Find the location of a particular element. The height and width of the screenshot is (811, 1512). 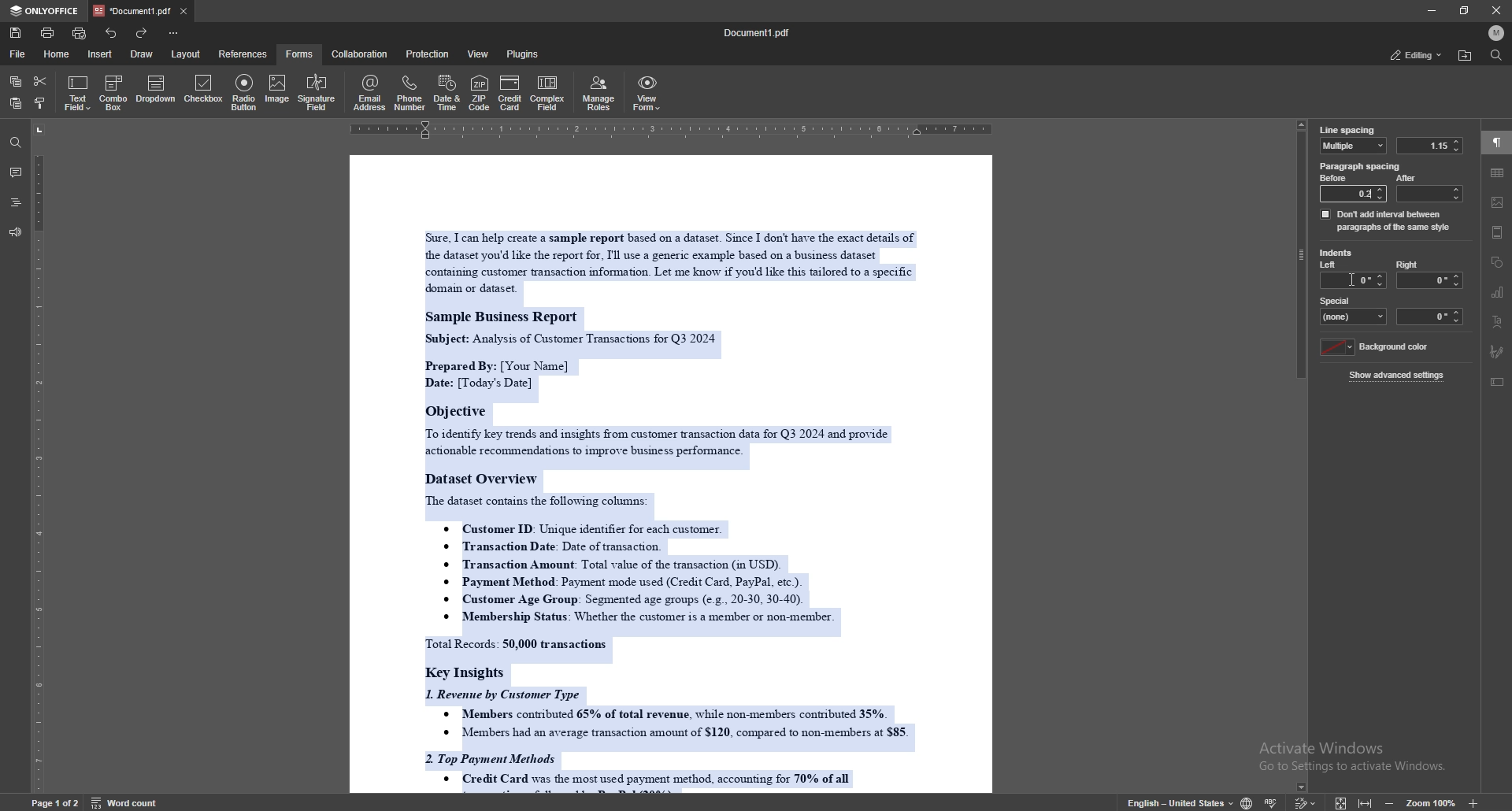

references is located at coordinates (244, 54).